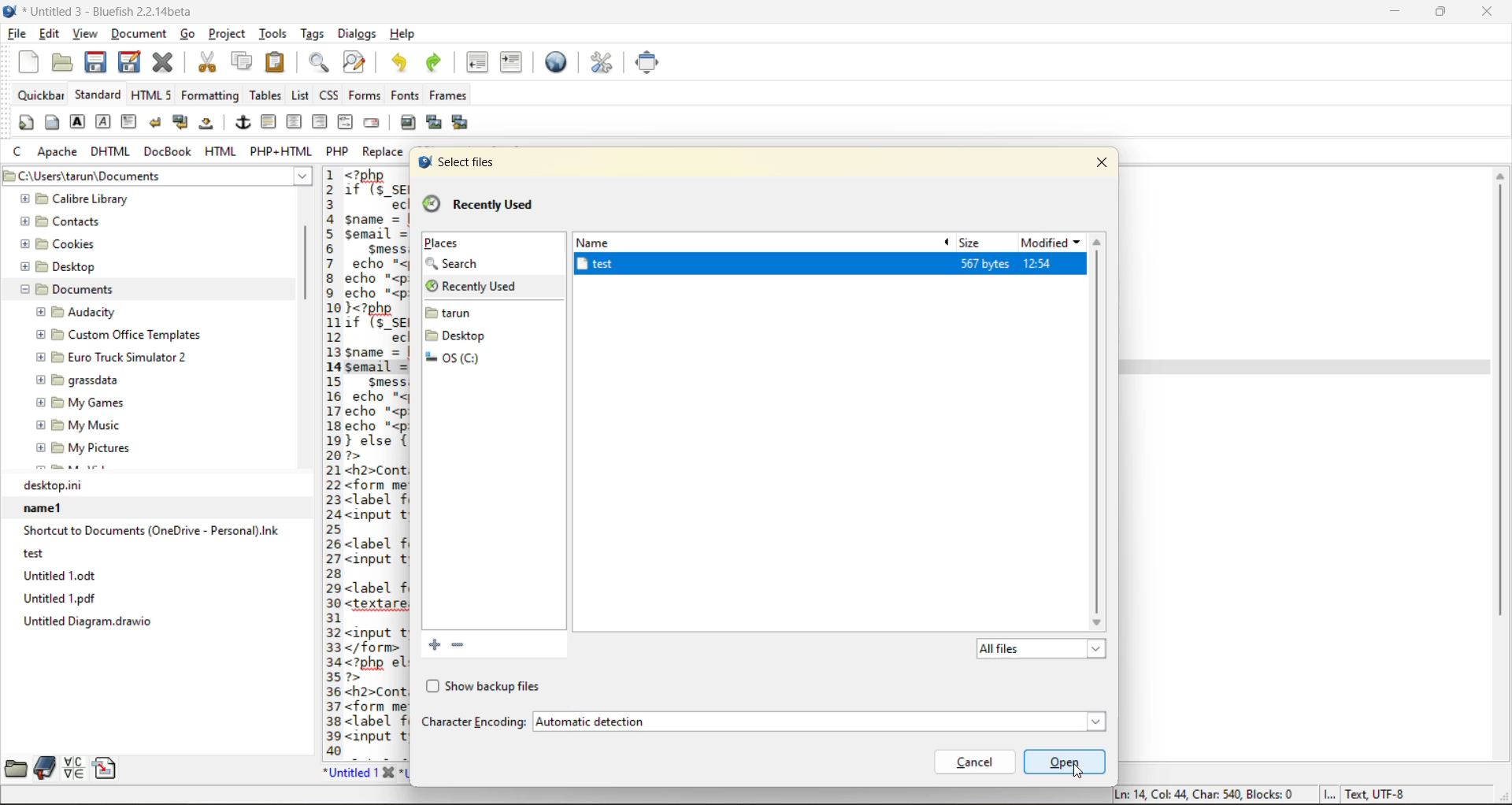 The image size is (1512, 805). What do you see at coordinates (40, 95) in the screenshot?
I see `quickbar` at bounding box center [40, 95].